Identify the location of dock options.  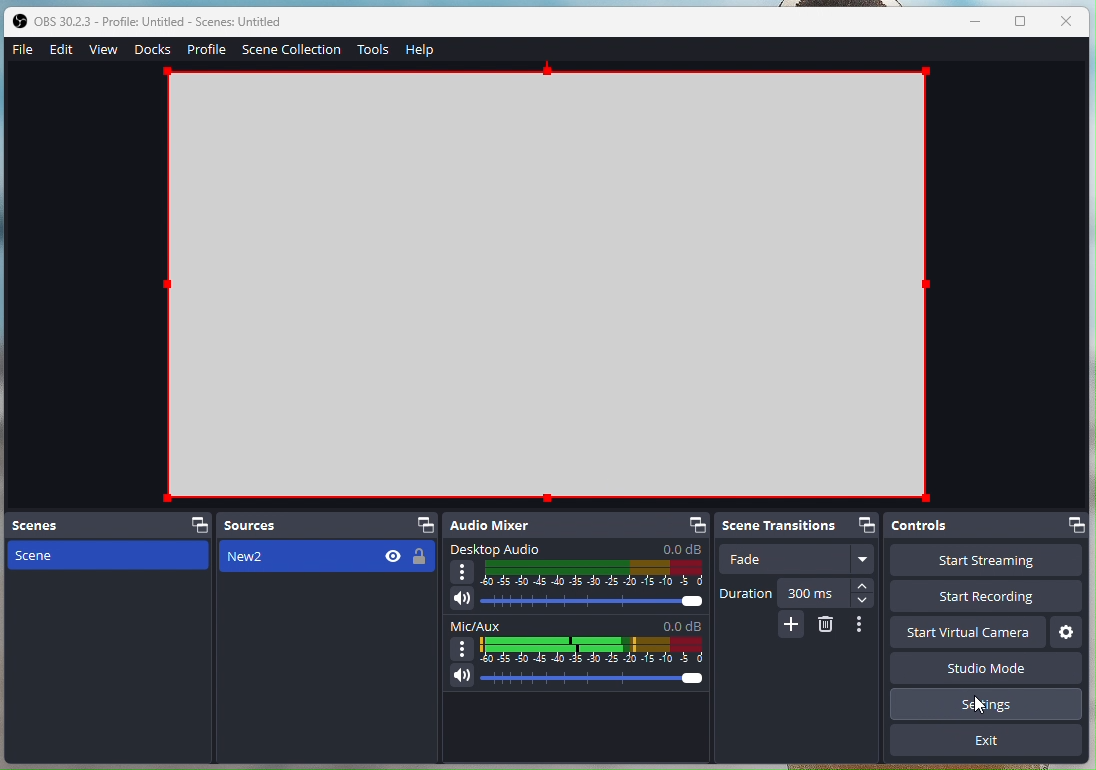
(198, 522).